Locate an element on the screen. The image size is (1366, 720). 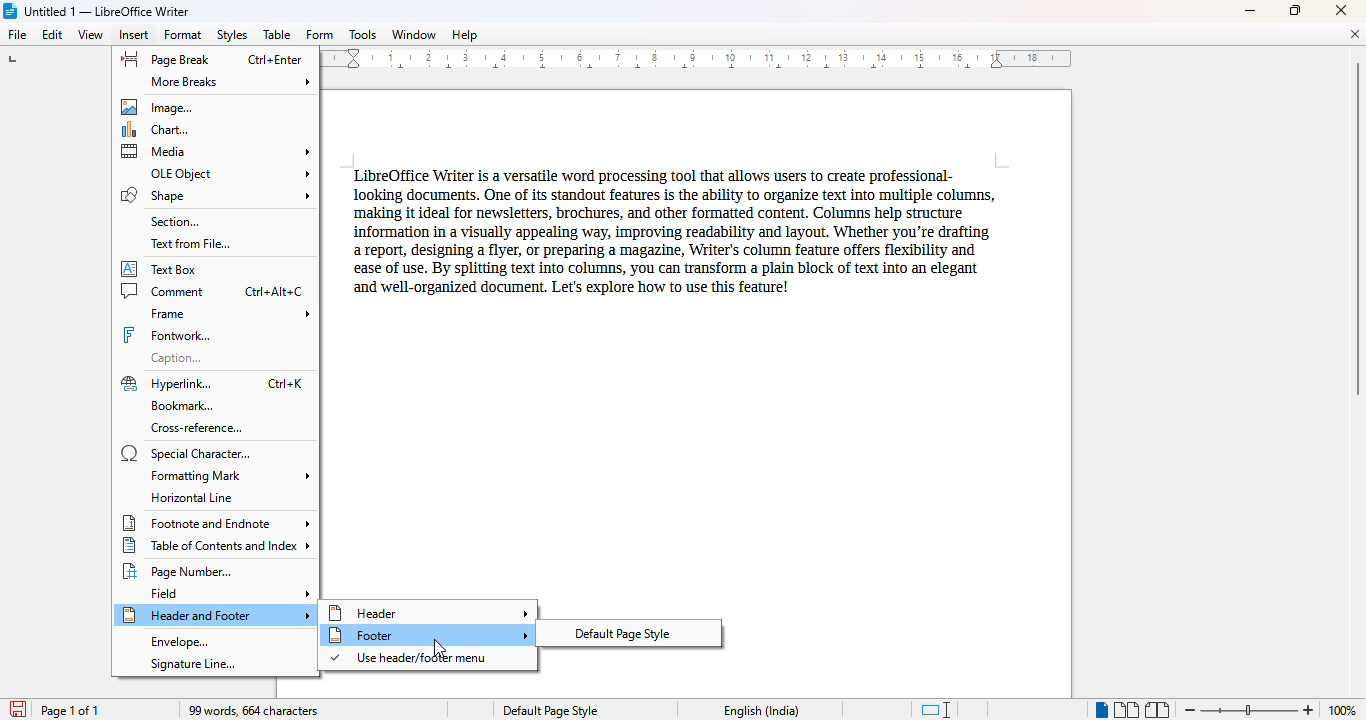
header and footer is located at coordinates (216, 615).